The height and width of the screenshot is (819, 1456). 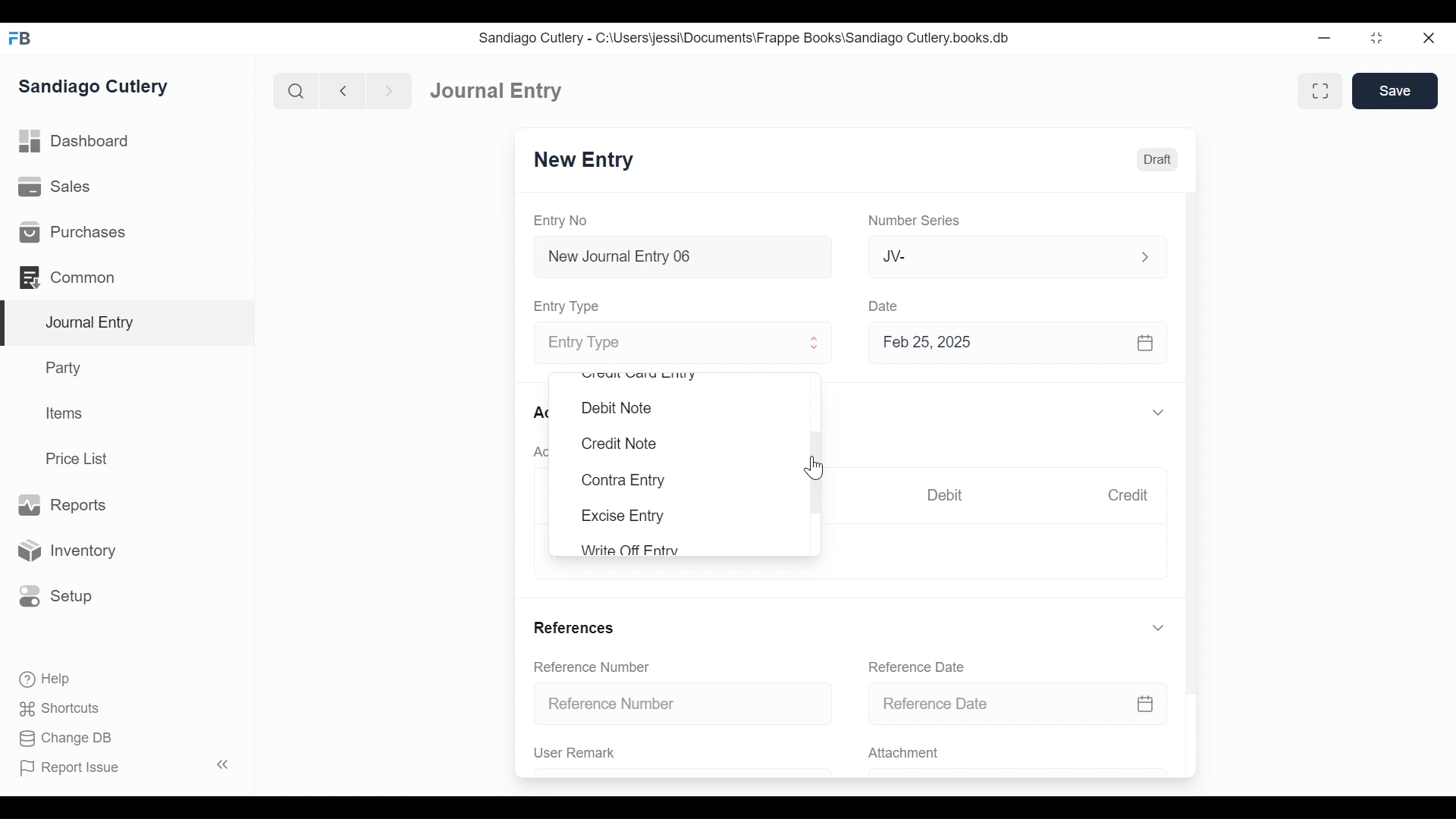 What do you see at coordinates (815, 343) in the screenshot?
I see `Expand` at bounding box center [815, 343].